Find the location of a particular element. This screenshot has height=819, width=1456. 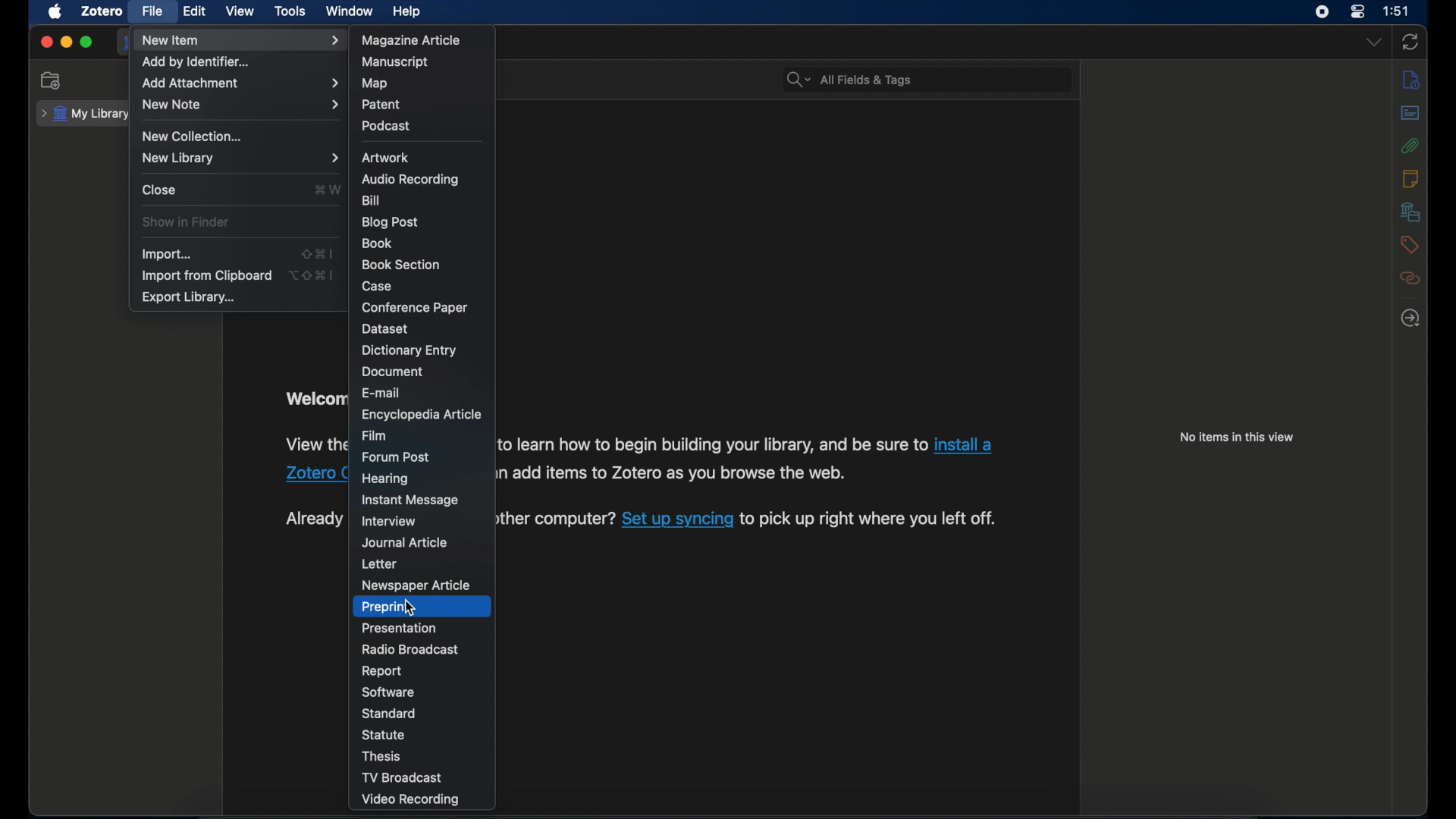

option + shift + command + I is located at coordinates (311, 275).